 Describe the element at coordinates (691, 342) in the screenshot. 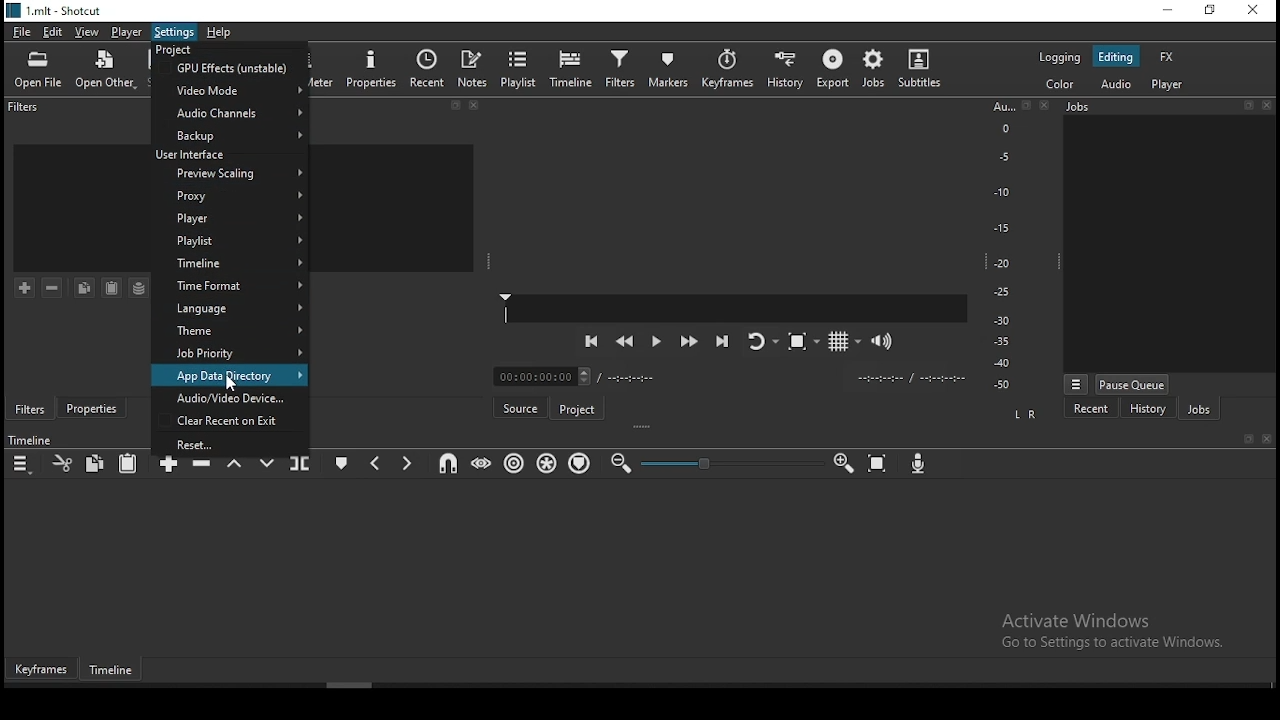

I see `play quickly forwards` at that location.